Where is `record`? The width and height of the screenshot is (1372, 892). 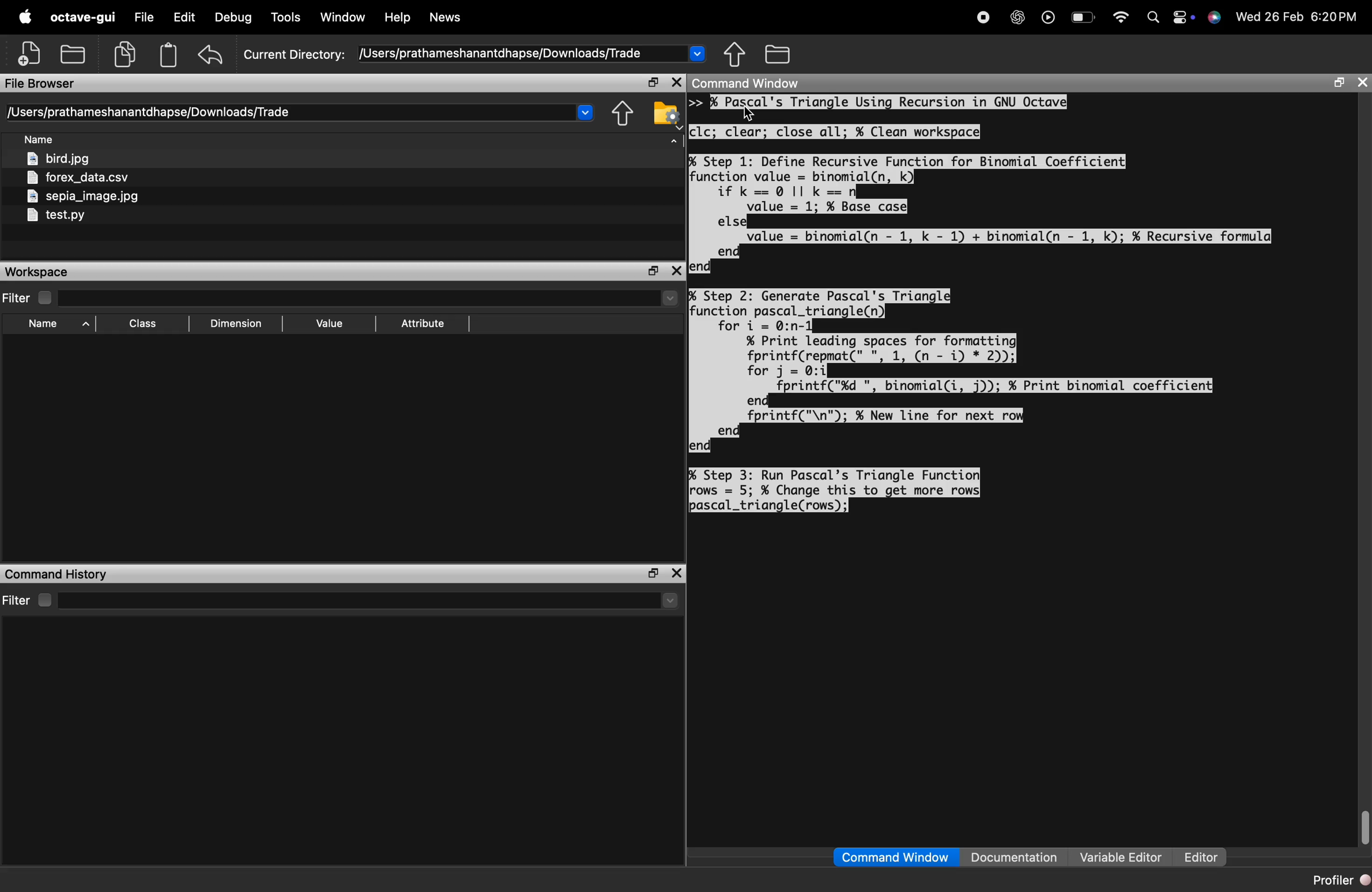 record is located at coordinates (983, 17).